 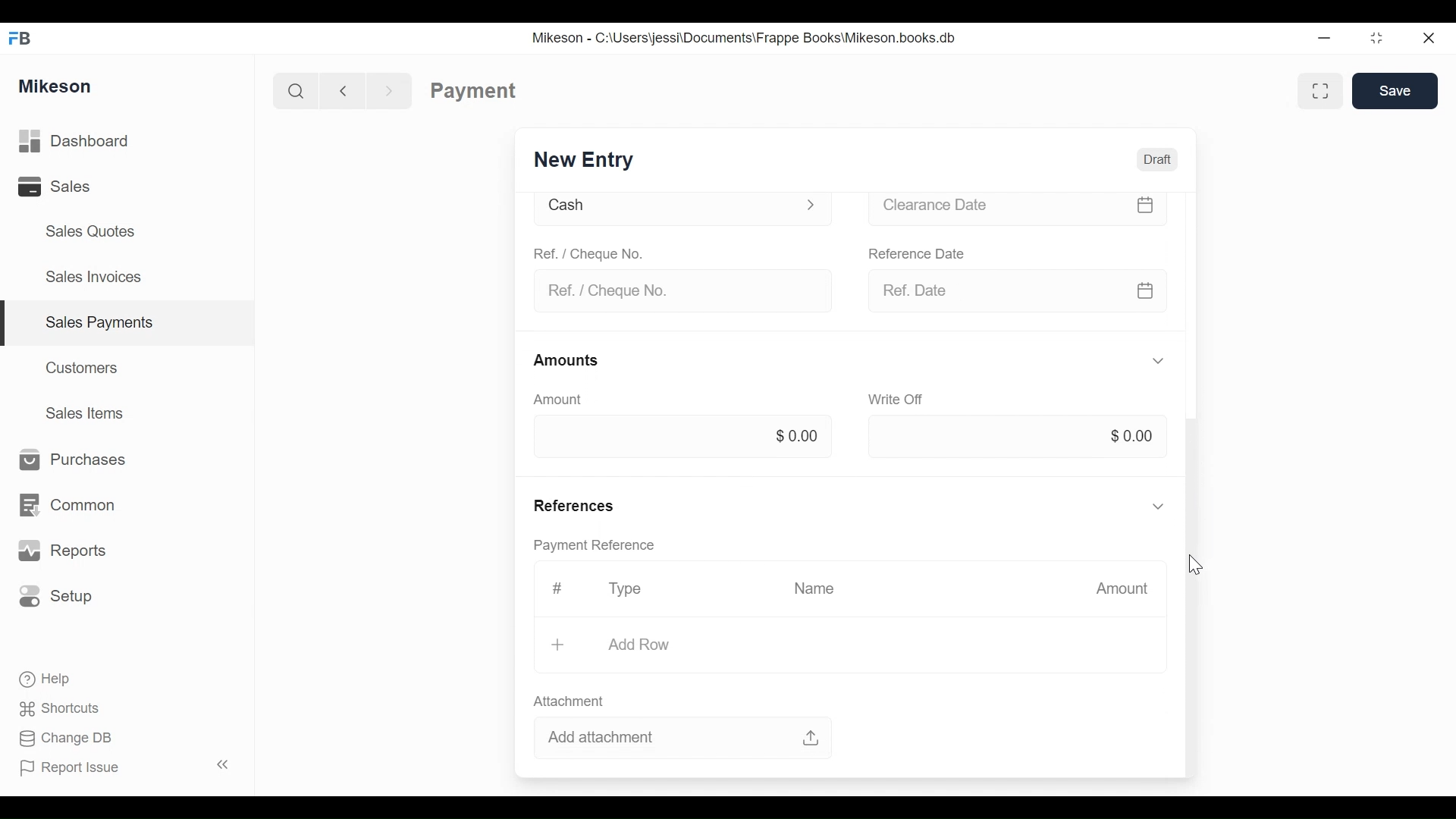 I want to click on Sales, so click(x=53, y=188).